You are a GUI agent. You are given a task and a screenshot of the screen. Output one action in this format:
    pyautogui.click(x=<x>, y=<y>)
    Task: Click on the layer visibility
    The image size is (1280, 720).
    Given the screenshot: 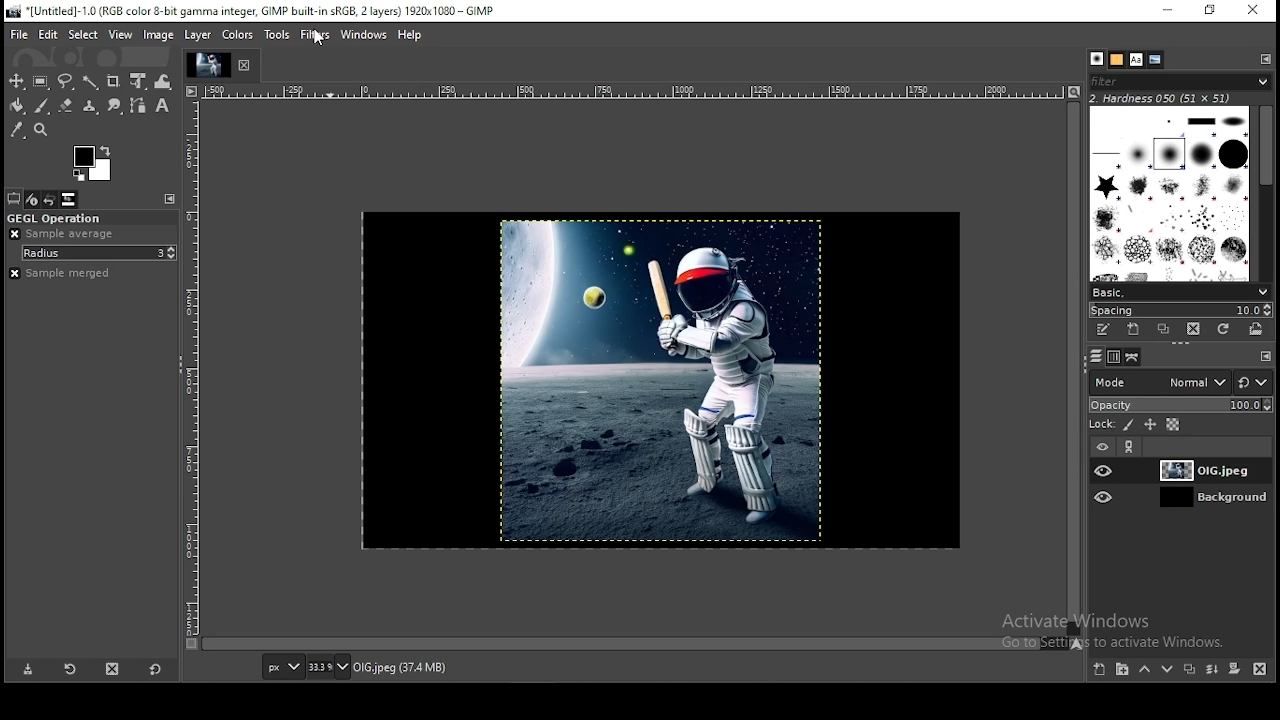 What is the action you would take?
    pyautogui.click(x=1102, y=447)
    